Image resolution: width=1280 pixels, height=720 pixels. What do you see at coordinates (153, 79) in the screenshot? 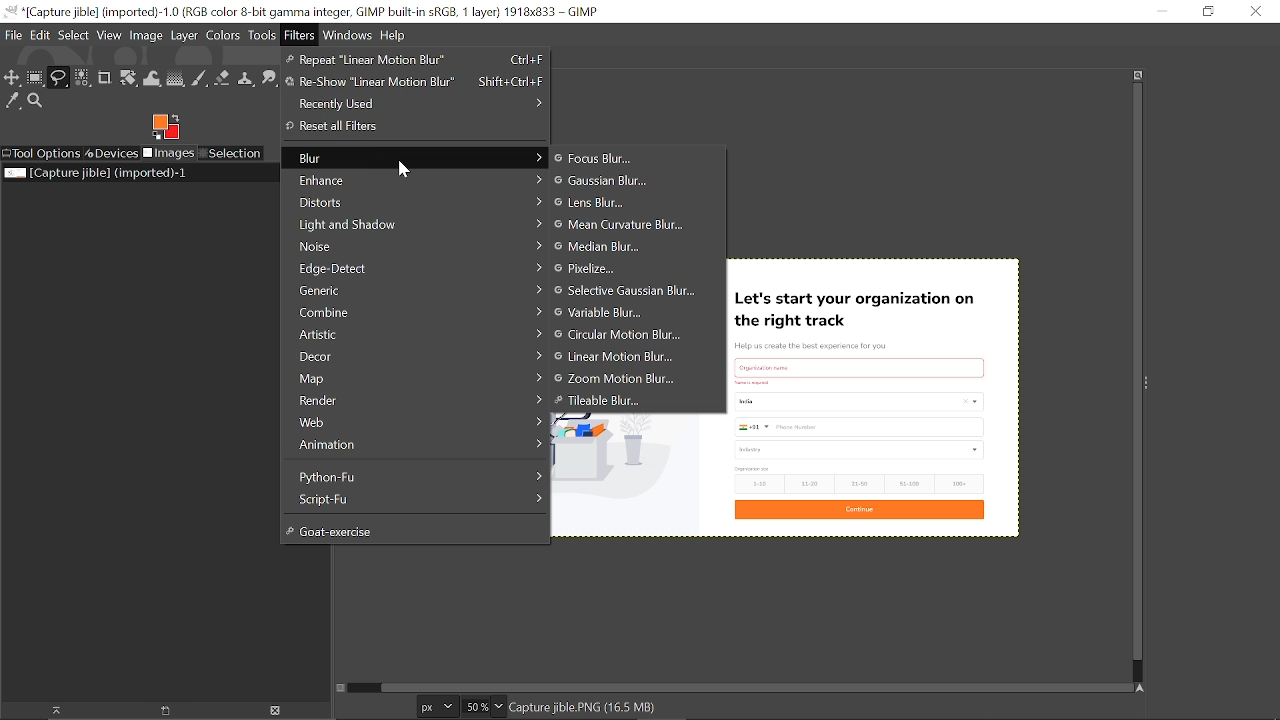
I see `Wrap text tool` at bounding box center [153, 79].